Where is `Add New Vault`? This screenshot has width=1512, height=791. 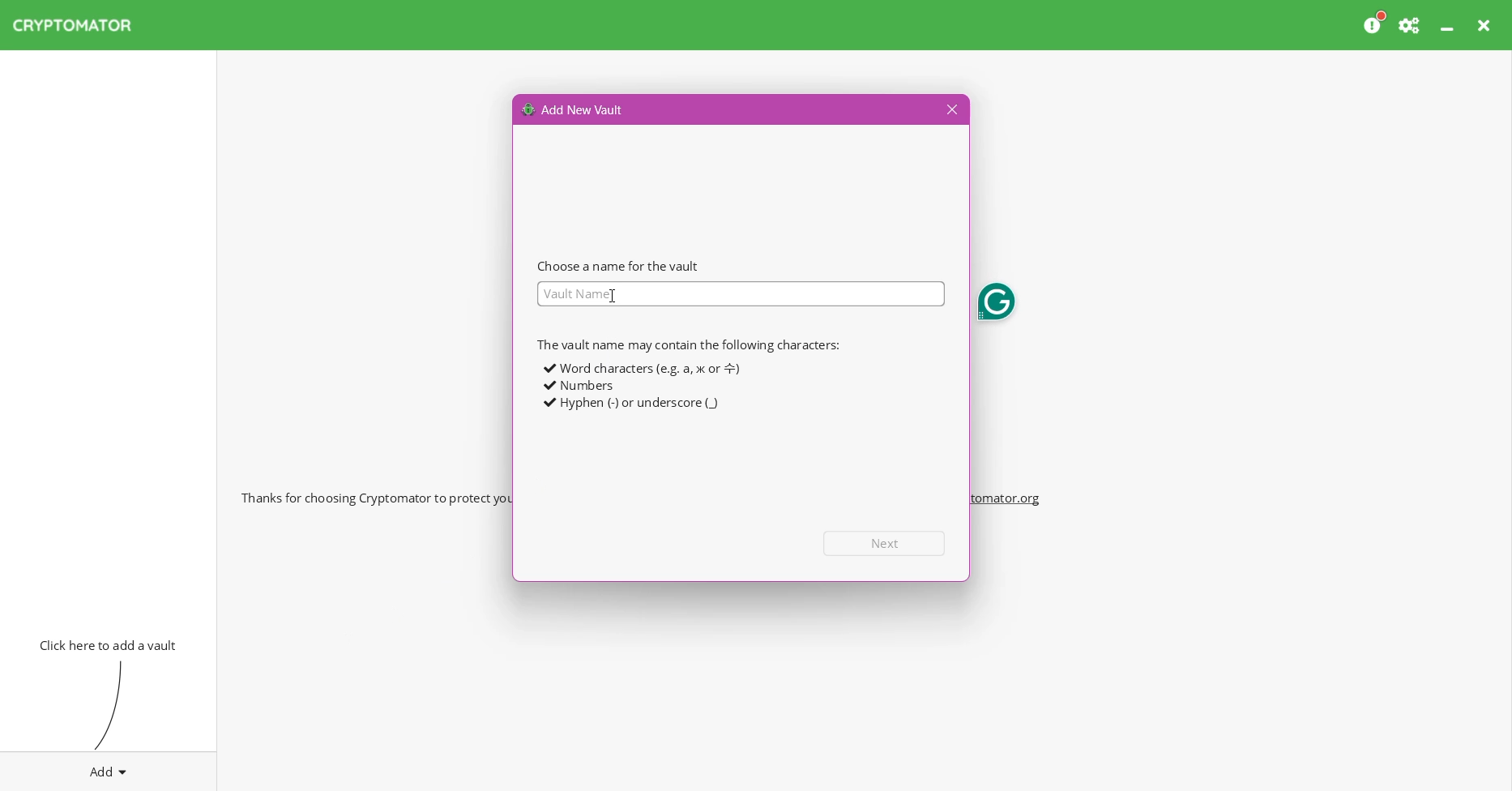
Add New Vault is located at coordinates (574, 109).